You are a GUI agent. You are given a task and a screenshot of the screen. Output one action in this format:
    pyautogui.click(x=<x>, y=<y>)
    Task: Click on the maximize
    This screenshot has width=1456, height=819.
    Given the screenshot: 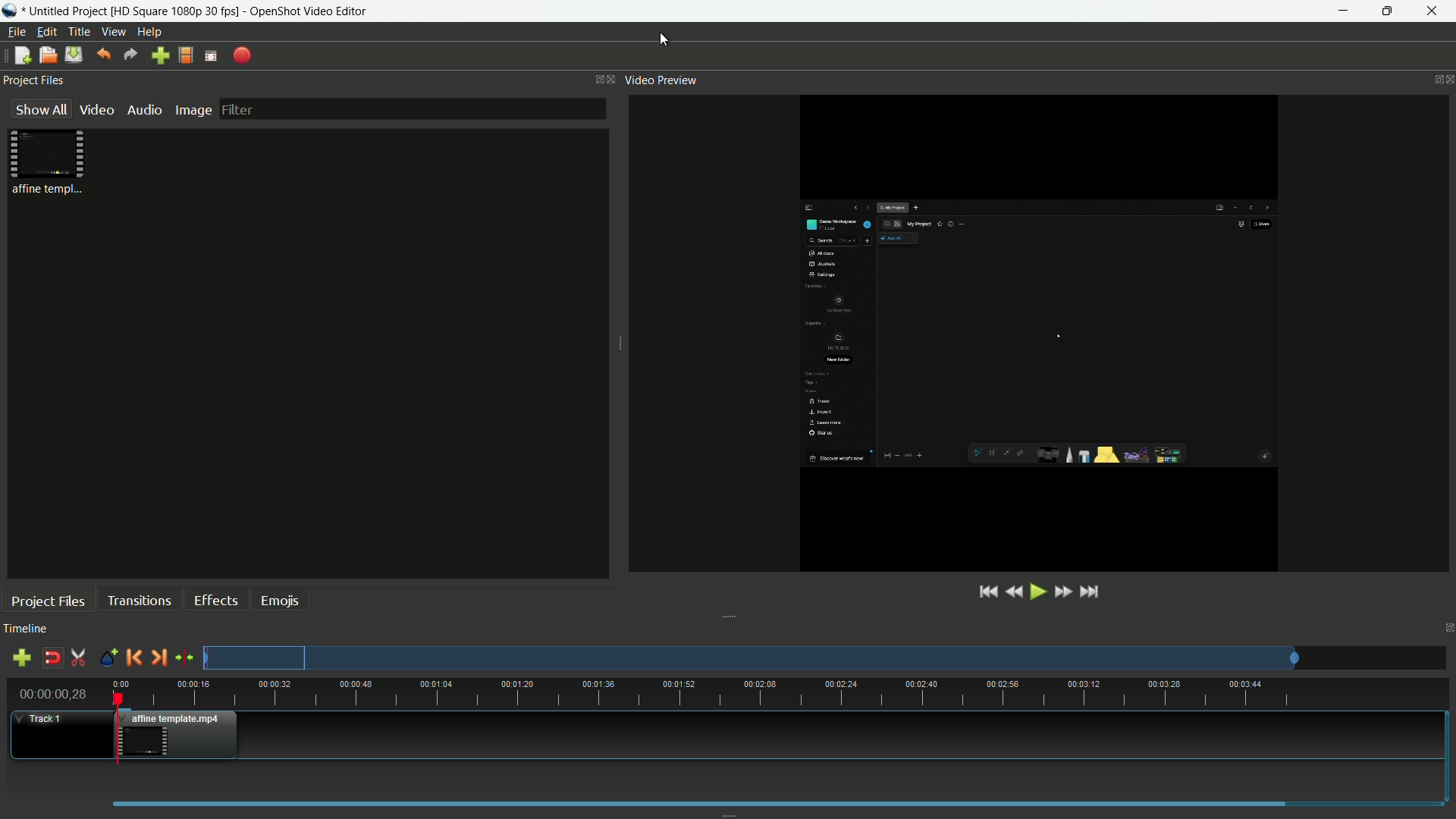 What is the action you would take?
    pyautogui.click(x=1391, y=11)
    